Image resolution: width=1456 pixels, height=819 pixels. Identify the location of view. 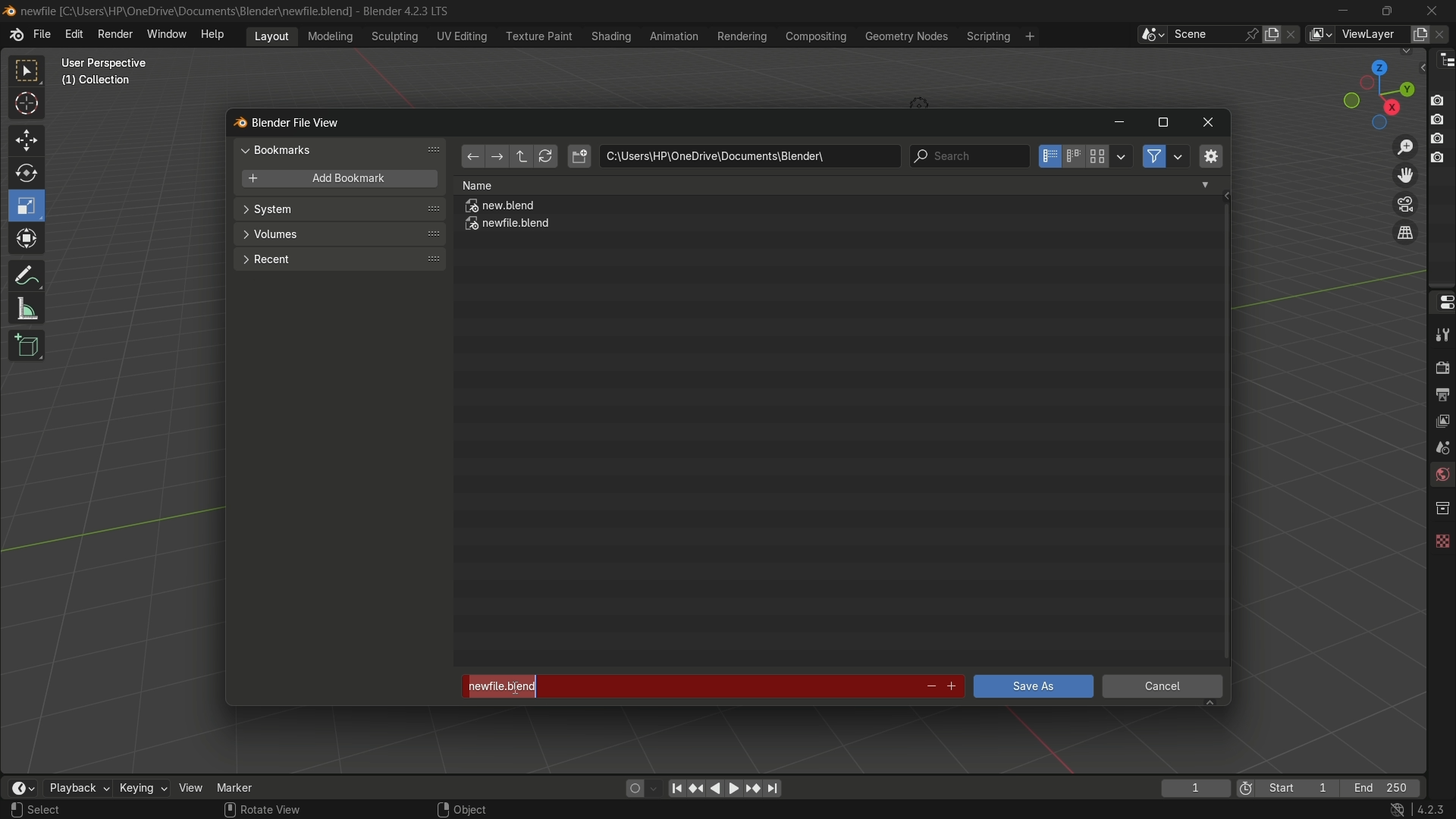
(191, 787).